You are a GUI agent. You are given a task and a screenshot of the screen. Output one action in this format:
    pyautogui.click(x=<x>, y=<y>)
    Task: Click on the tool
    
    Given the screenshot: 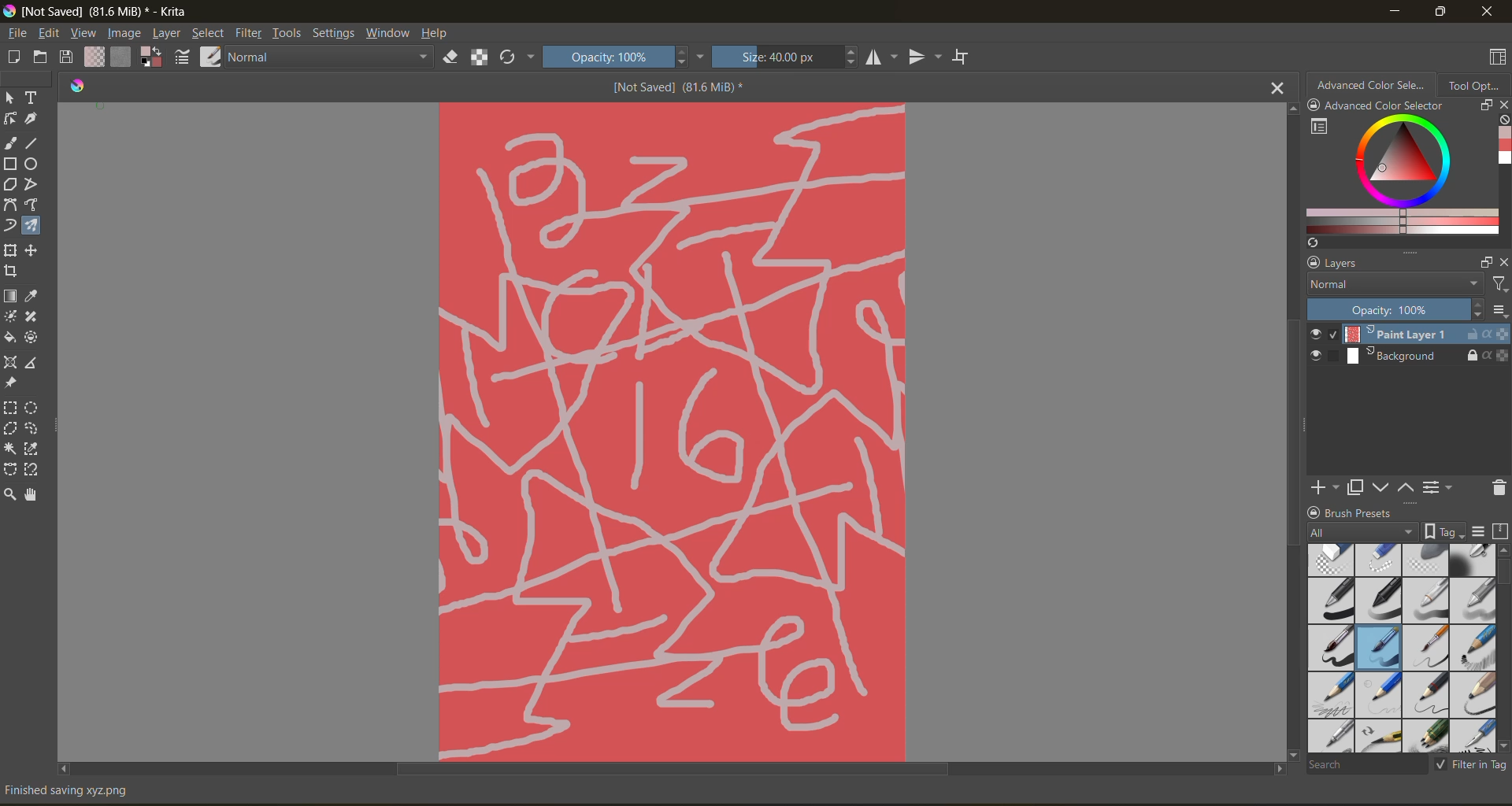 What is the action you would take?
    pyautogui.click(x=11, y=272)
    